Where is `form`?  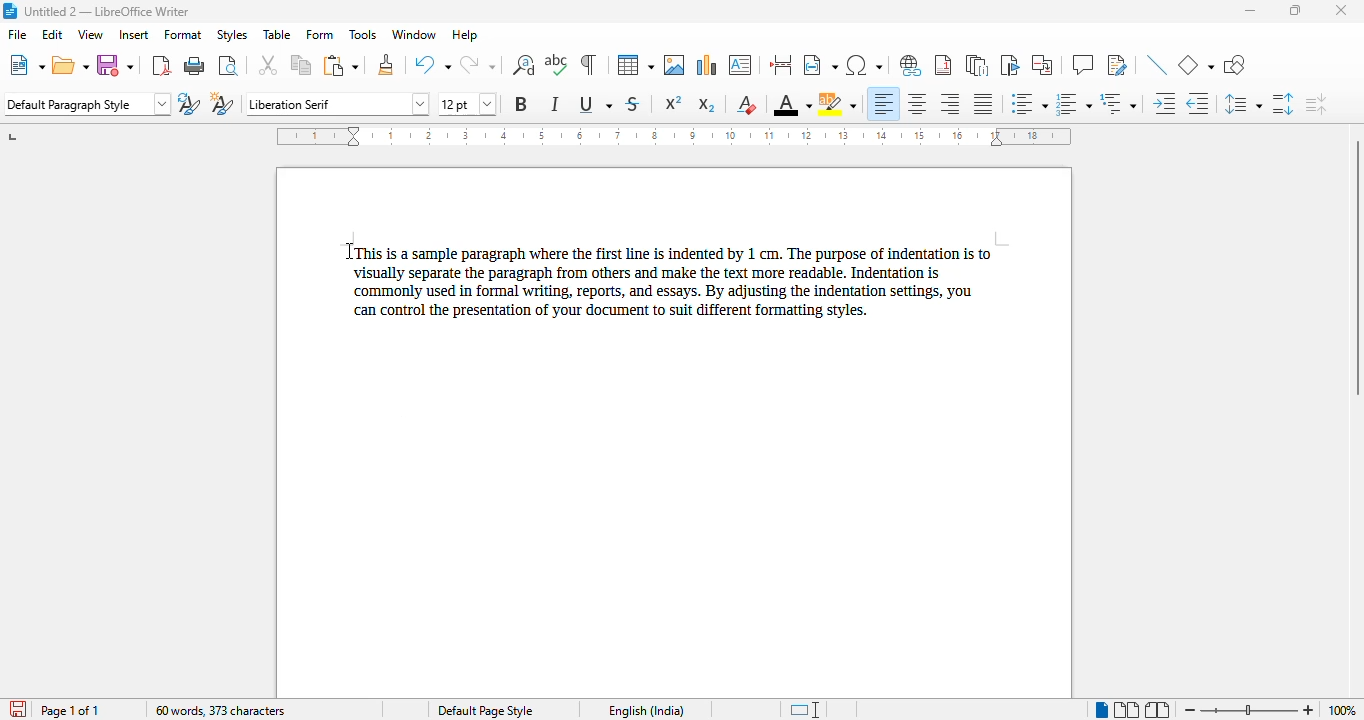 form is located at coordinates (320, 35).